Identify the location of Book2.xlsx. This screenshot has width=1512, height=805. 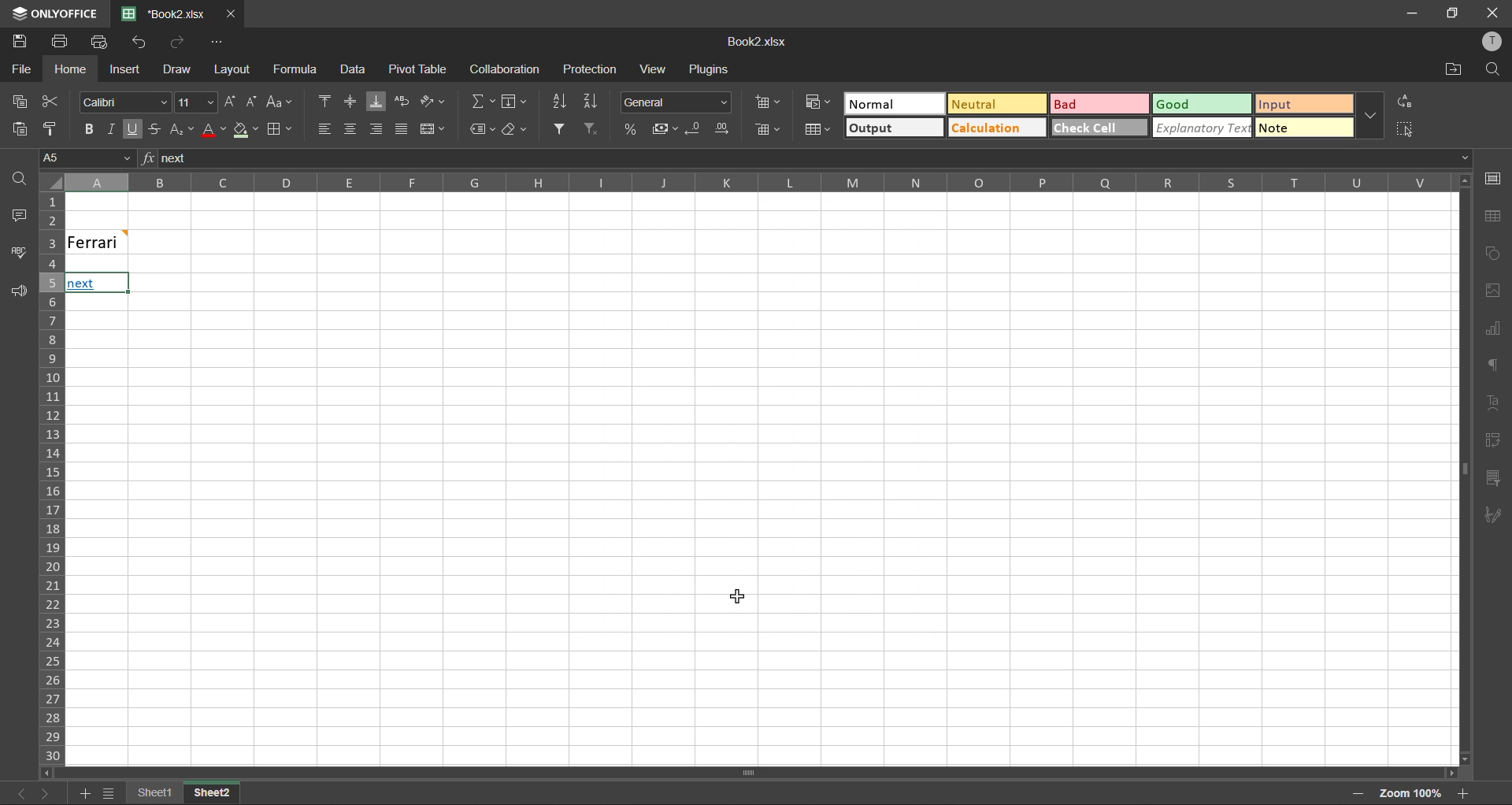
(755, 43).